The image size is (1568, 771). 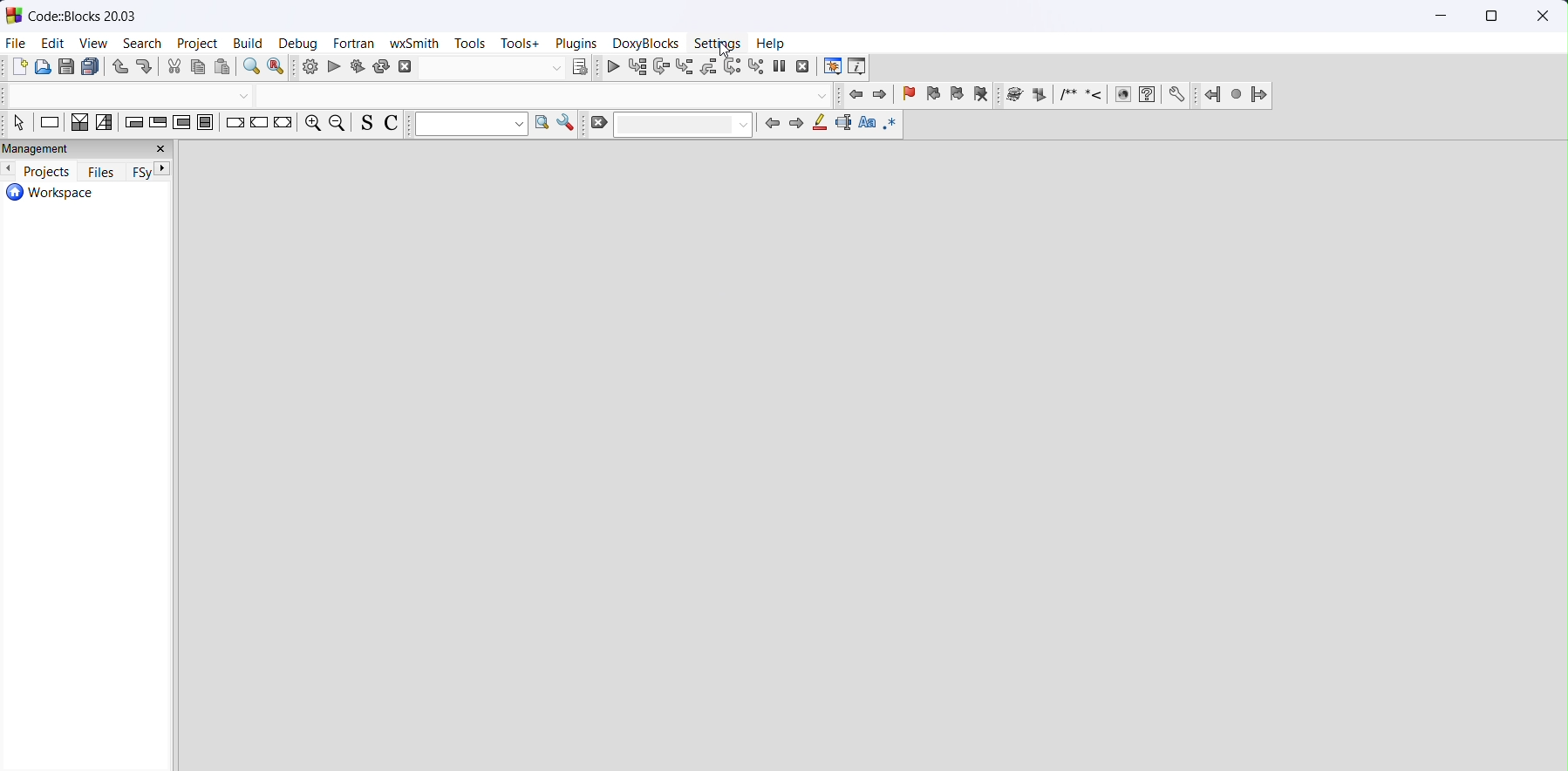 I want to click on highlight, so click(x=820, y=125).